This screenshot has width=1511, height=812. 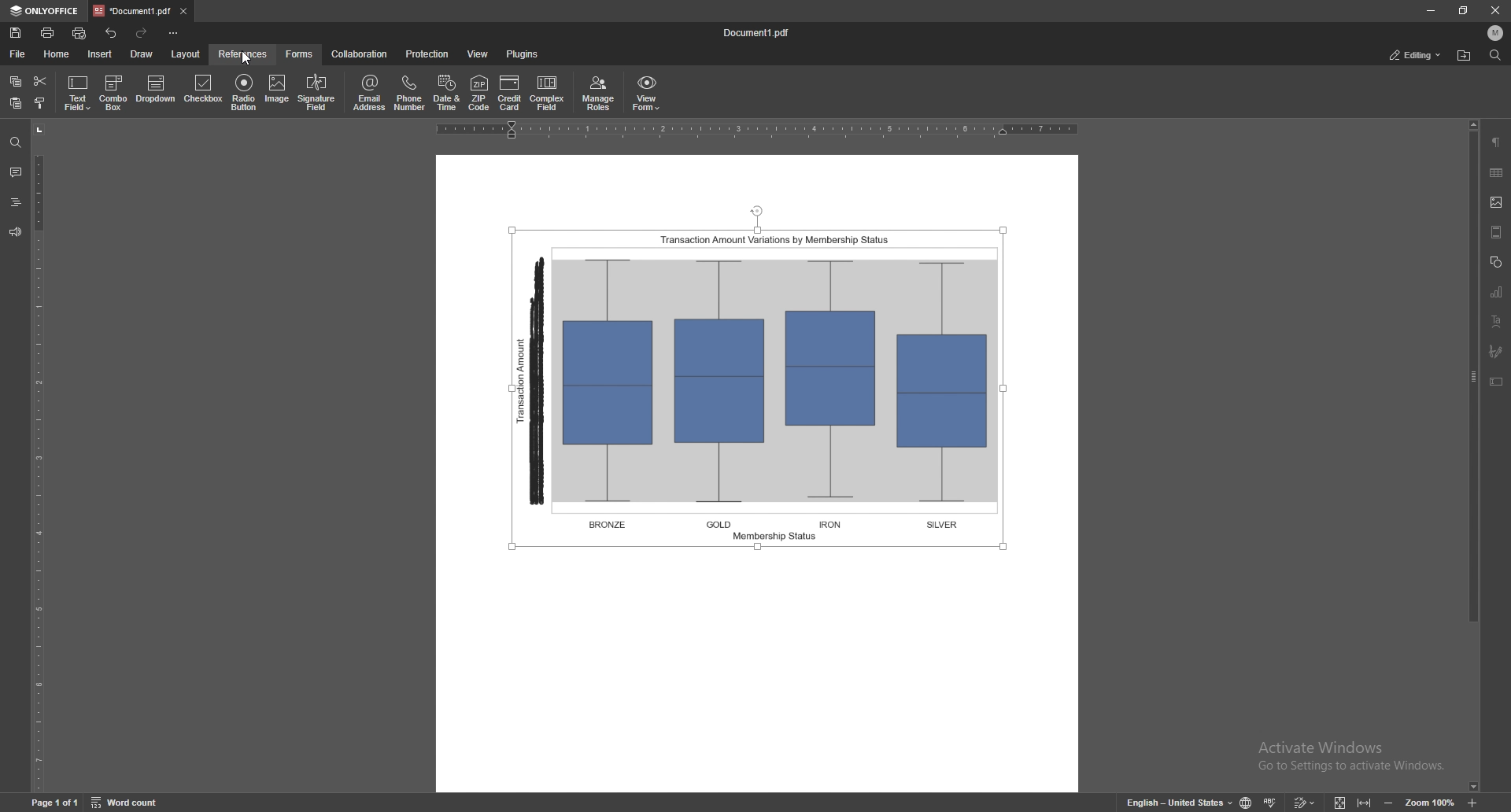 I want to click on shapes, so click(x=1495, y=261).